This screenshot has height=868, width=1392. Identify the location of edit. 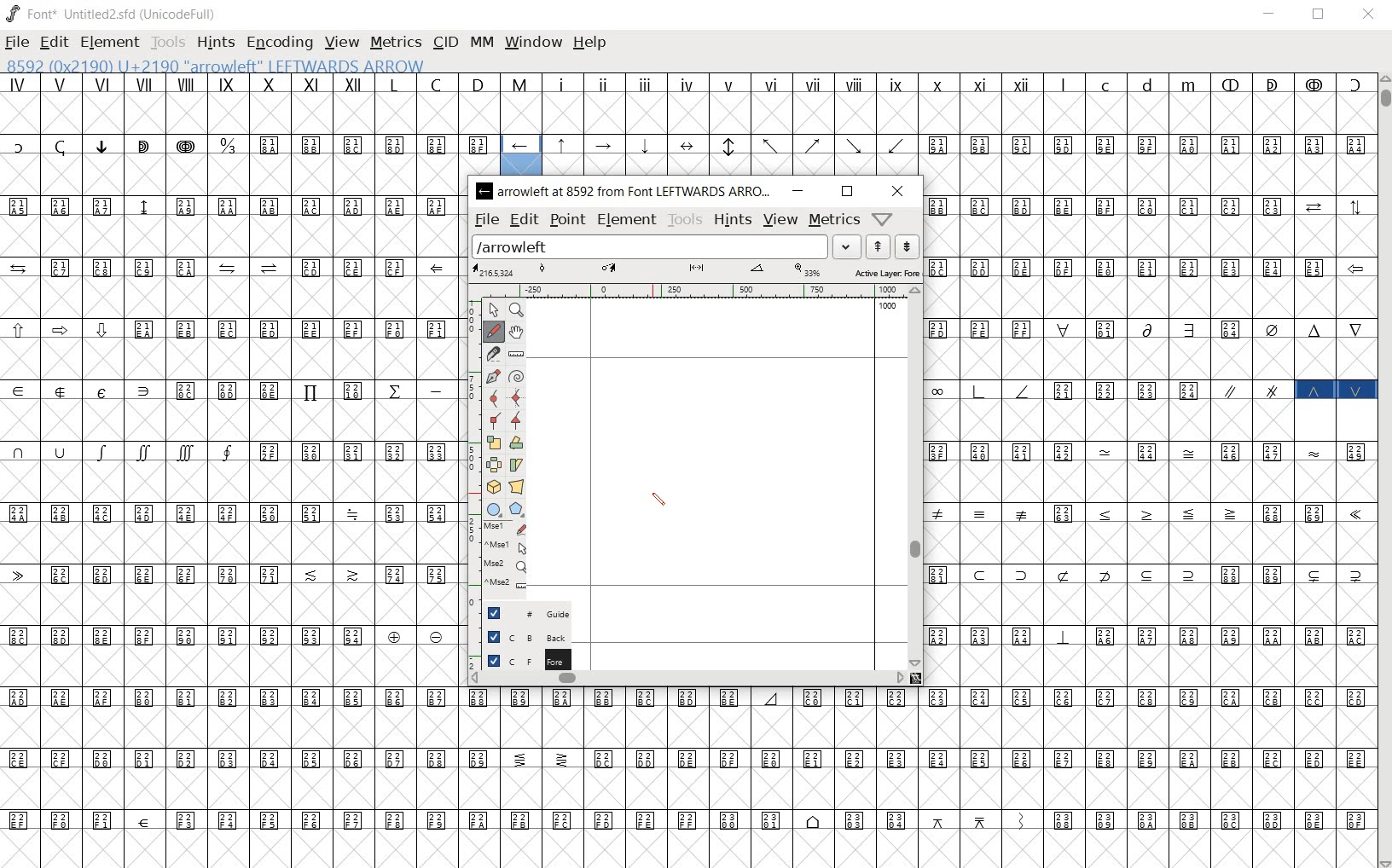
(523, 220).